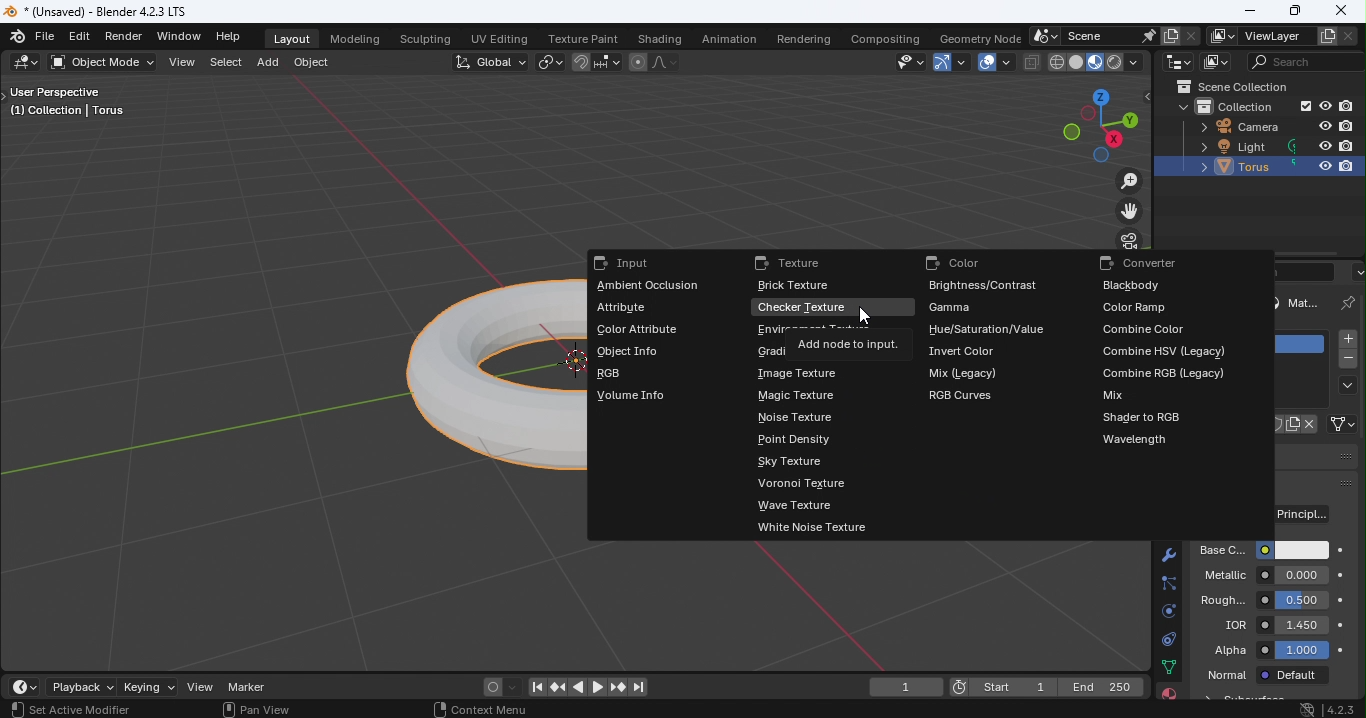 The image size is (1366, 718). I want to click on Disable in renders, so click(1346, 168).